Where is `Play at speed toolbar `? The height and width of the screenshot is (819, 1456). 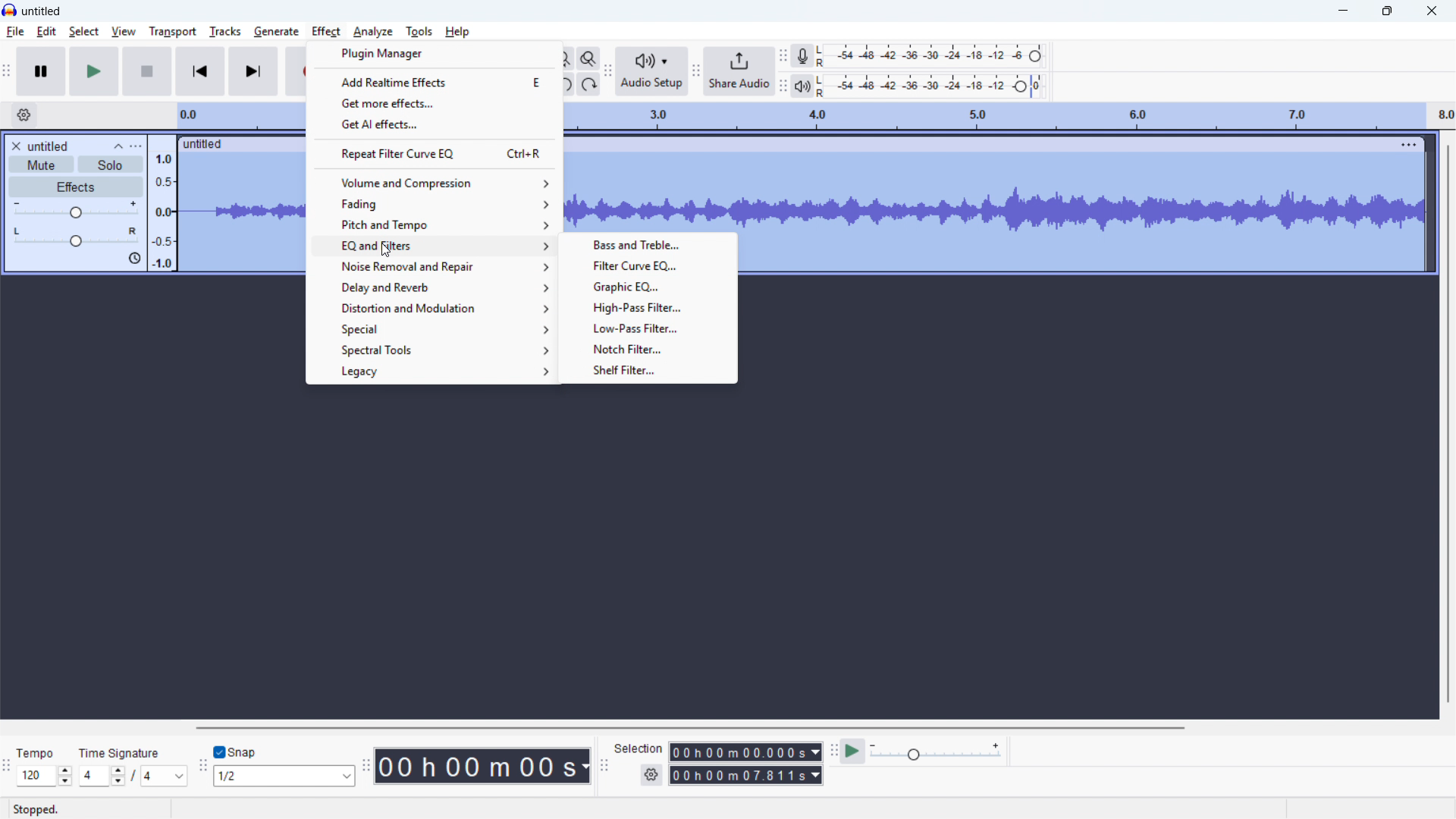
Play at speed toolbar  is located at coordinates (831, 751).